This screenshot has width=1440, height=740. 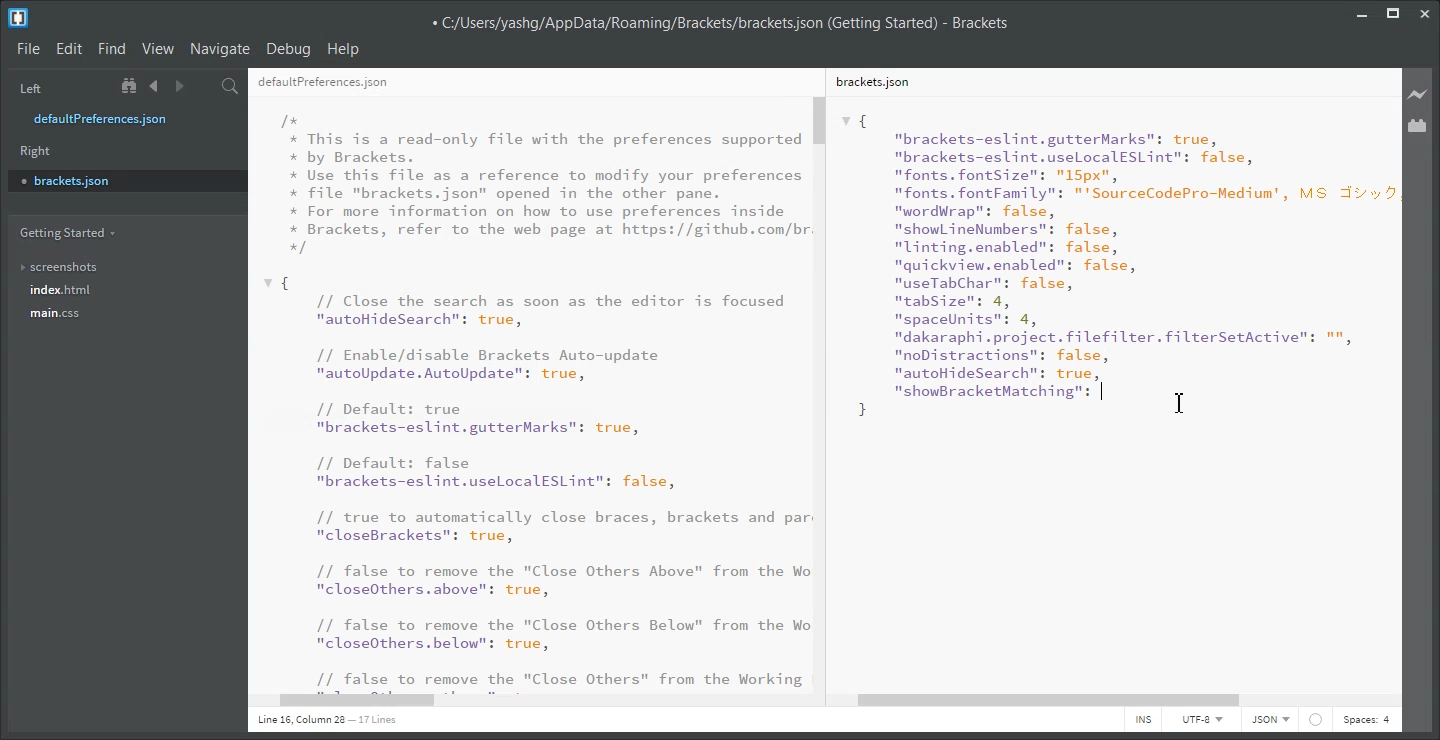 What do you see at coordinates (1316, 720) in the screenshot?
I see `Icon` at bounding box center [1316, 720].